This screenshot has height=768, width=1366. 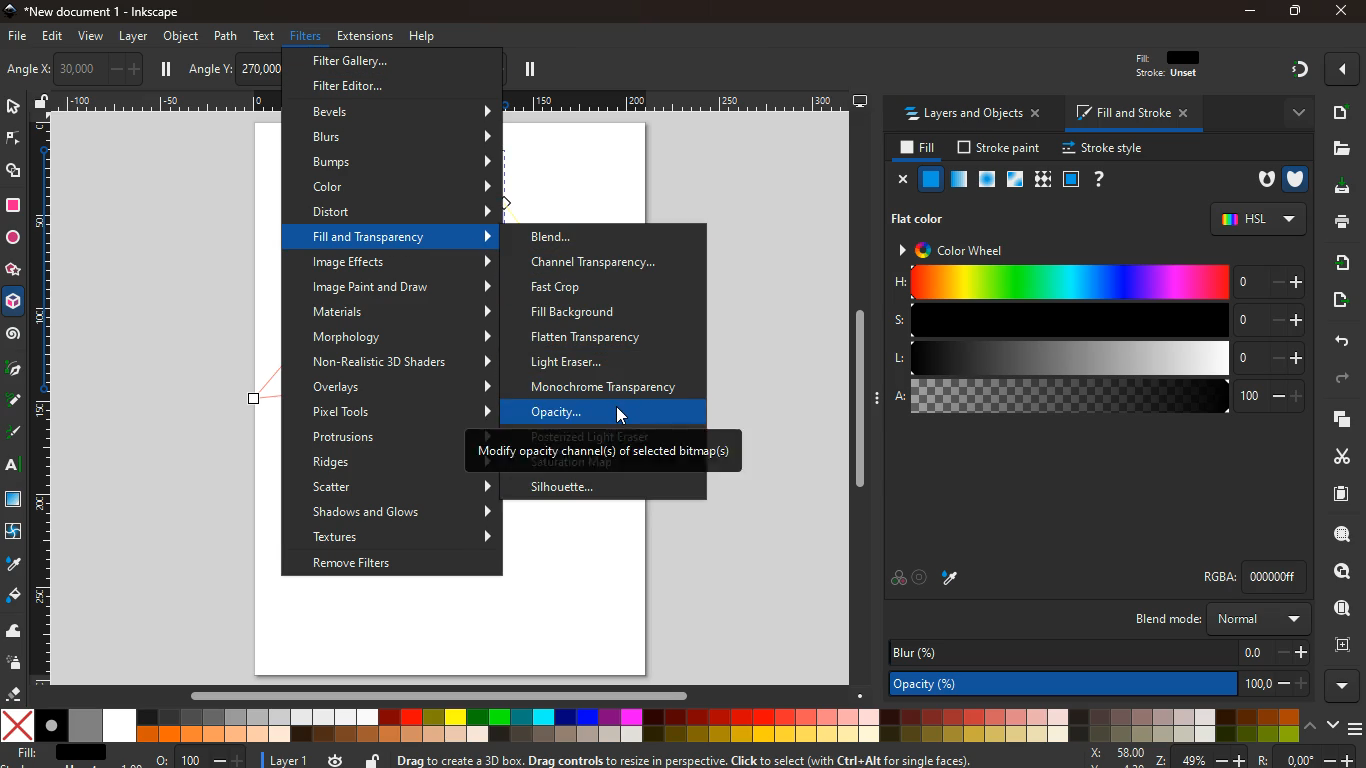 I want to click on ice, so click(x=984, y=179).